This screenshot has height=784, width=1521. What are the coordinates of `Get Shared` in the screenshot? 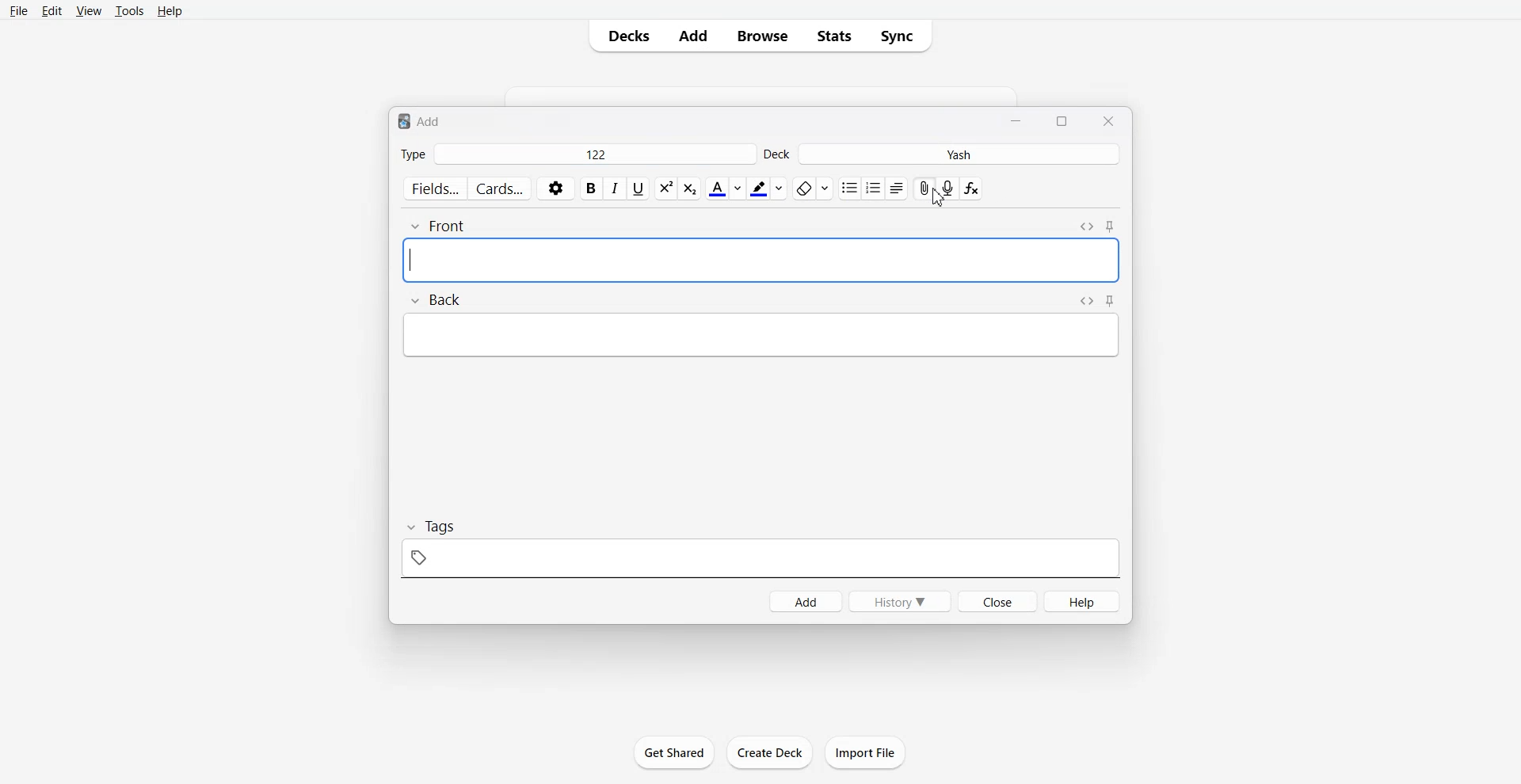 It's located at (674, 751).